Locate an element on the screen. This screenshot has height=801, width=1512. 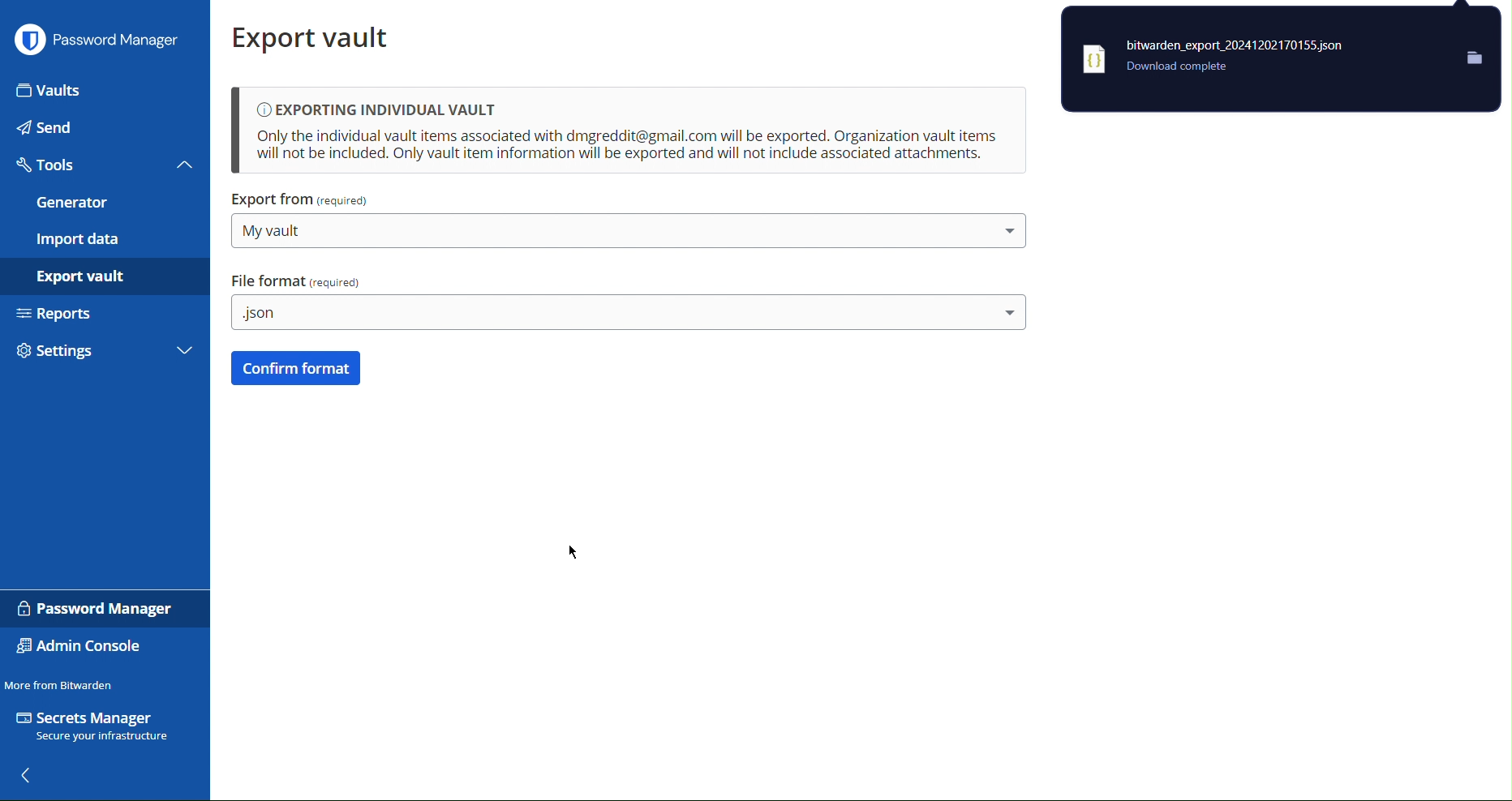
Export From is located at coordinates (301, 201).